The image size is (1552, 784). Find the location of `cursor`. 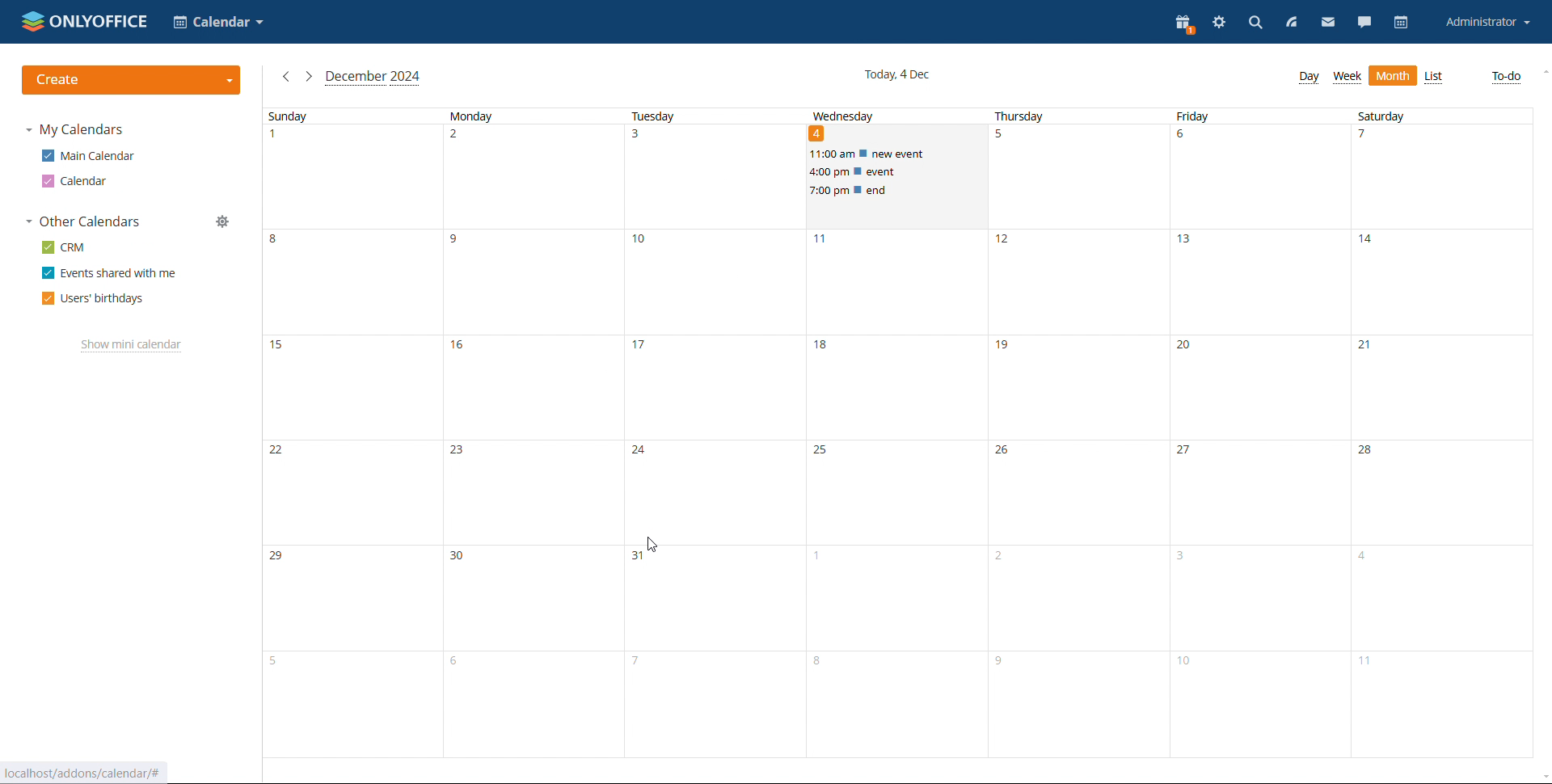

cursor is located at coordinates (652, 544).